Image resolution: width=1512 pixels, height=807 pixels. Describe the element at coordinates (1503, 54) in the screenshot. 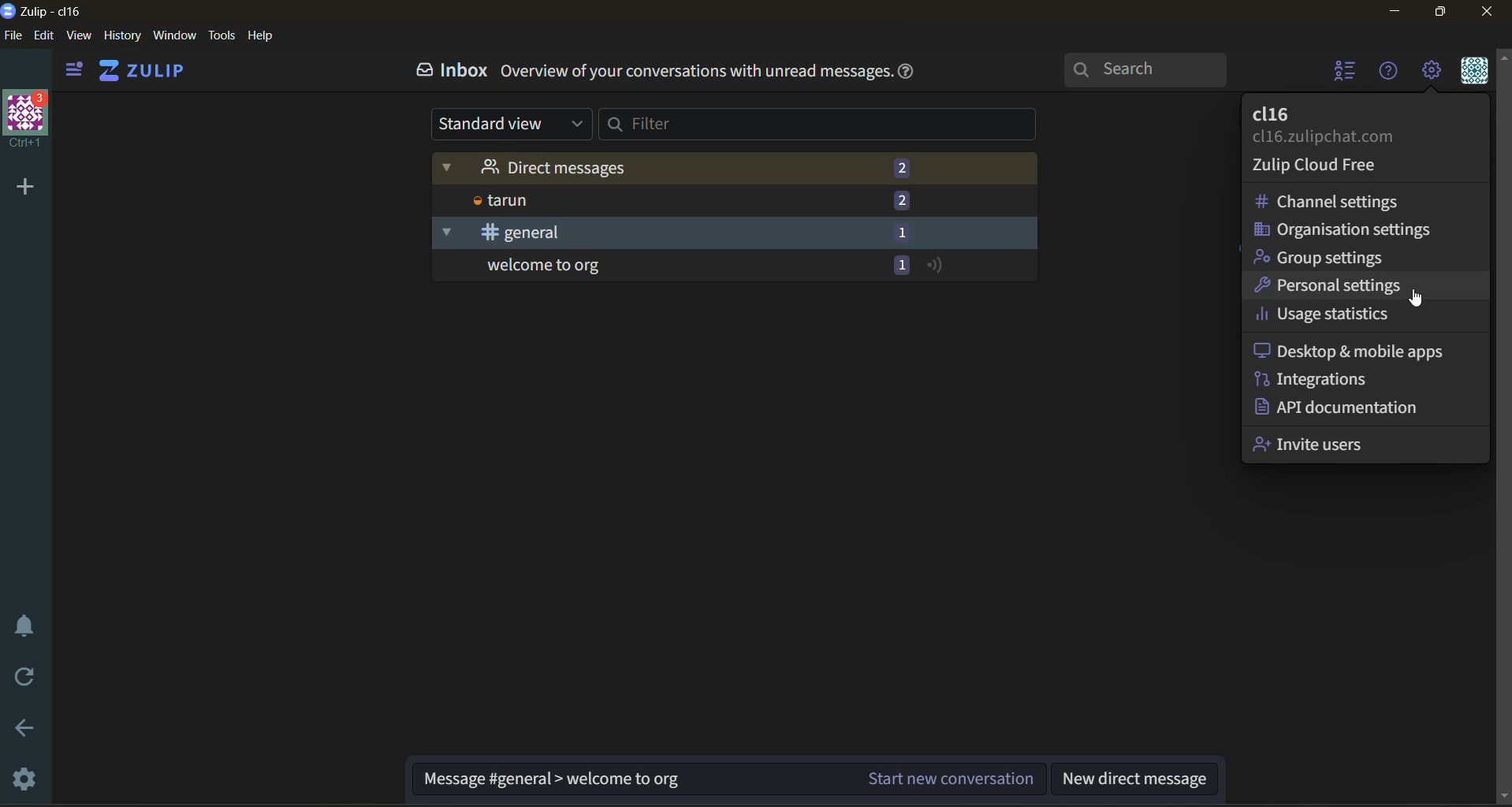

I see `scroll up` at that location.